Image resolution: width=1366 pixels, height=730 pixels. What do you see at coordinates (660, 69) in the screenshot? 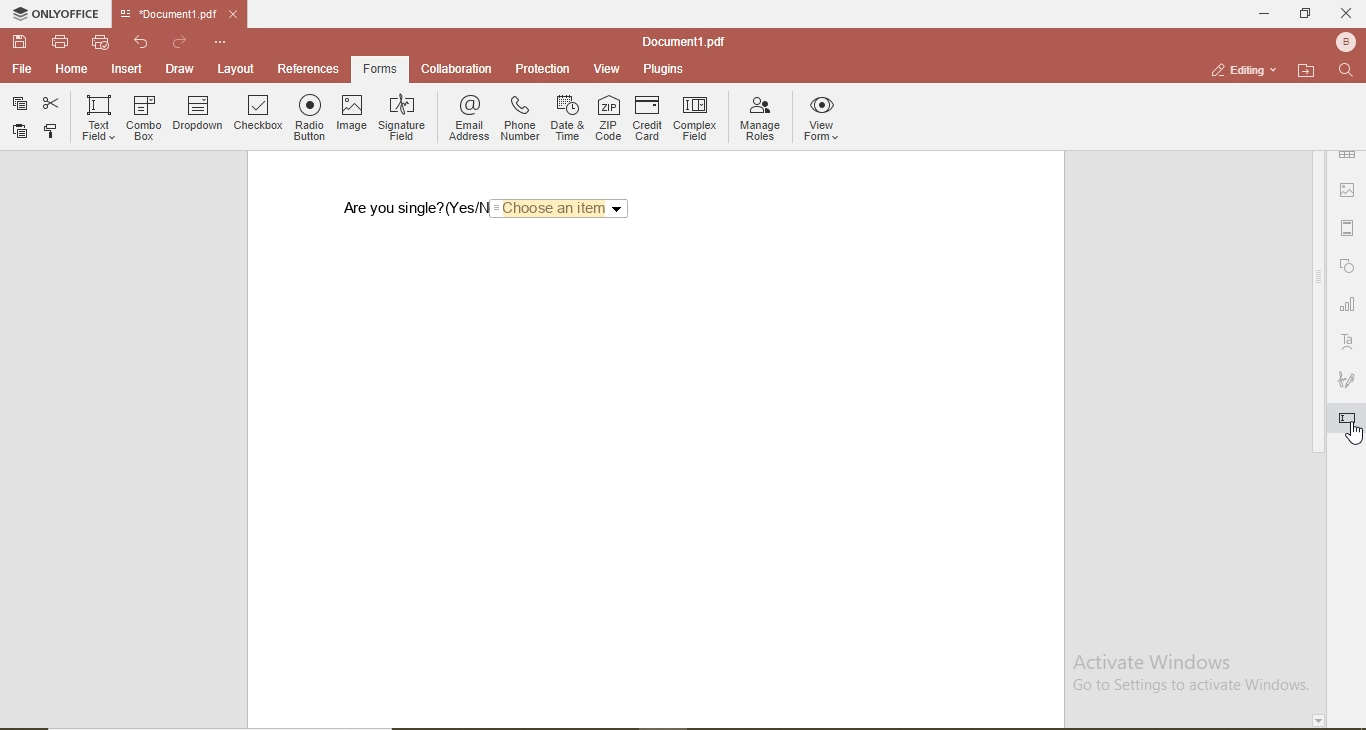
I see `plugins` at bounding box center [660, 69].